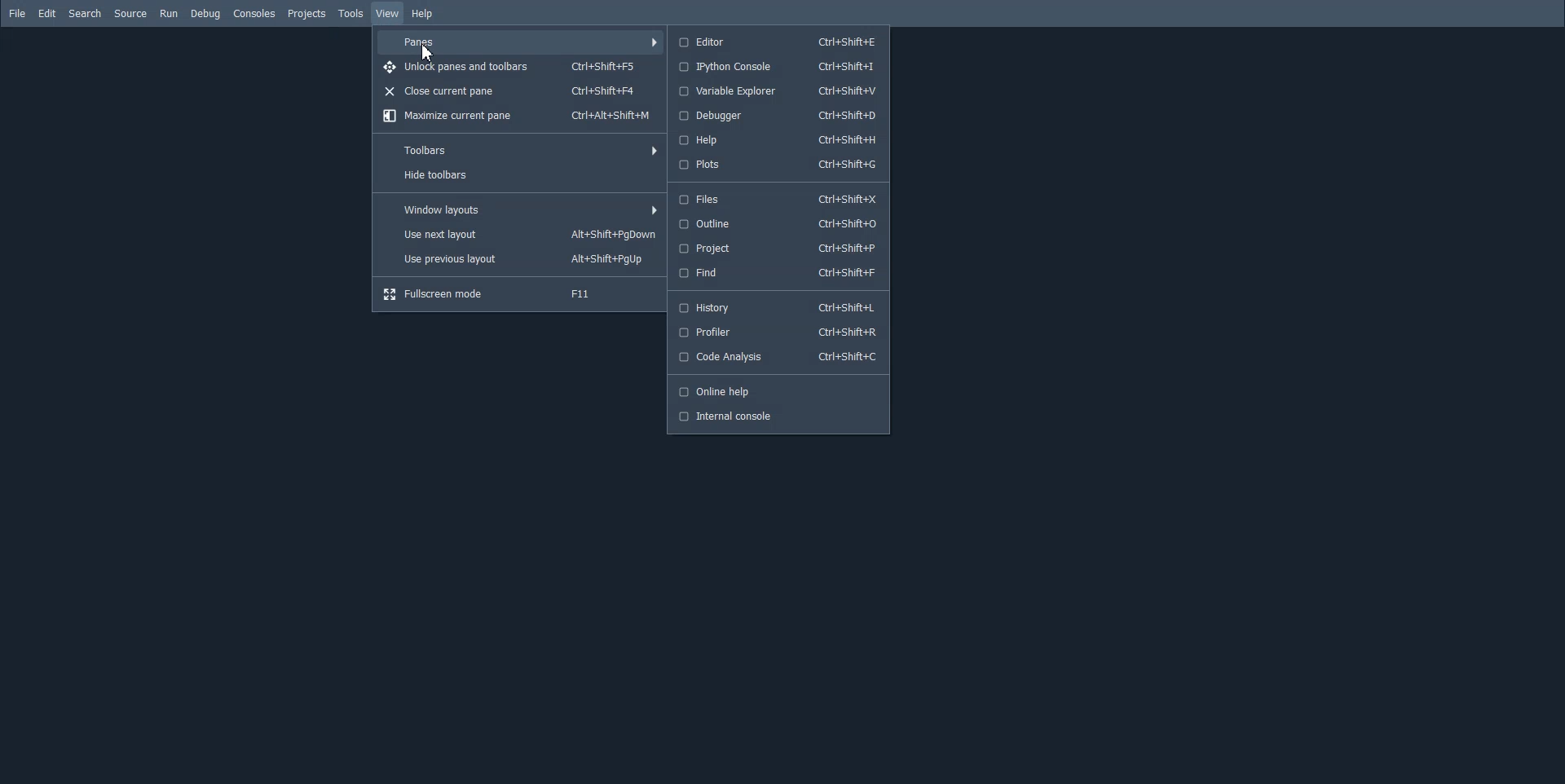 Image resolution: width=1565 pixels, height=784 pixels. I want to click on History, so click(777, 307).